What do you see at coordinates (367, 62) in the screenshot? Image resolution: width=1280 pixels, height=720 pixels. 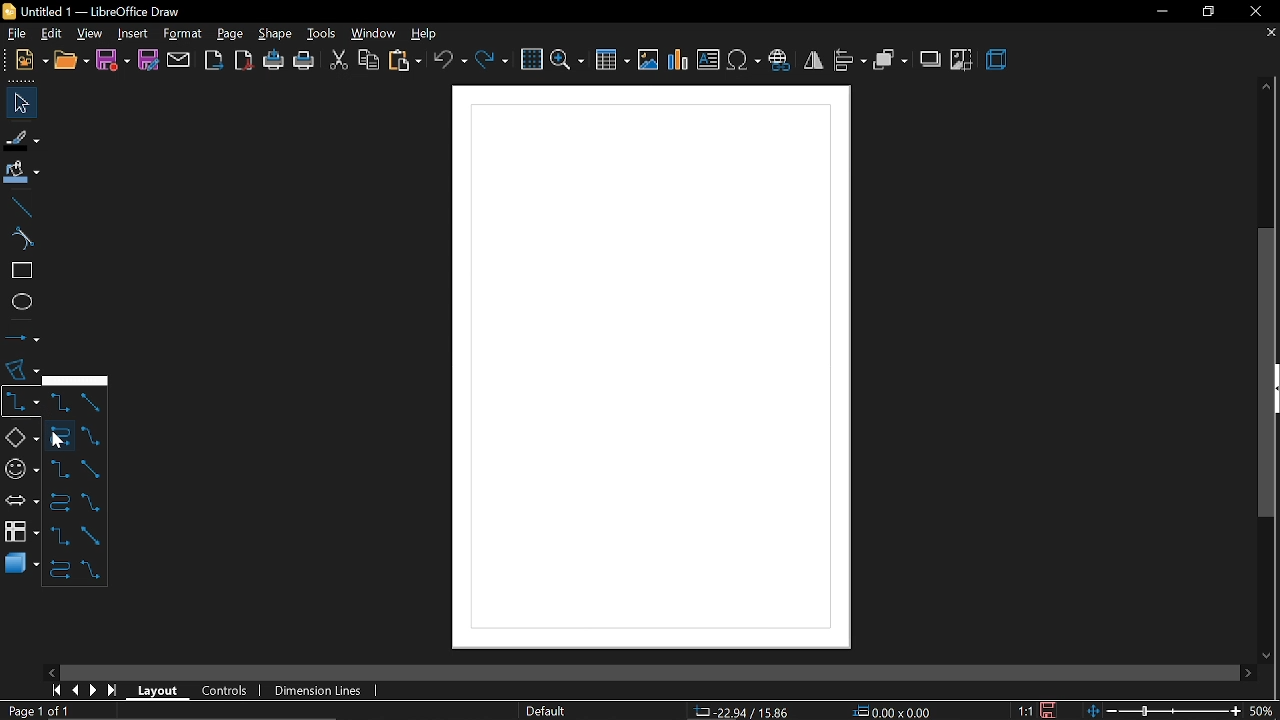 I see `copy` at bounding box center [367, 62].